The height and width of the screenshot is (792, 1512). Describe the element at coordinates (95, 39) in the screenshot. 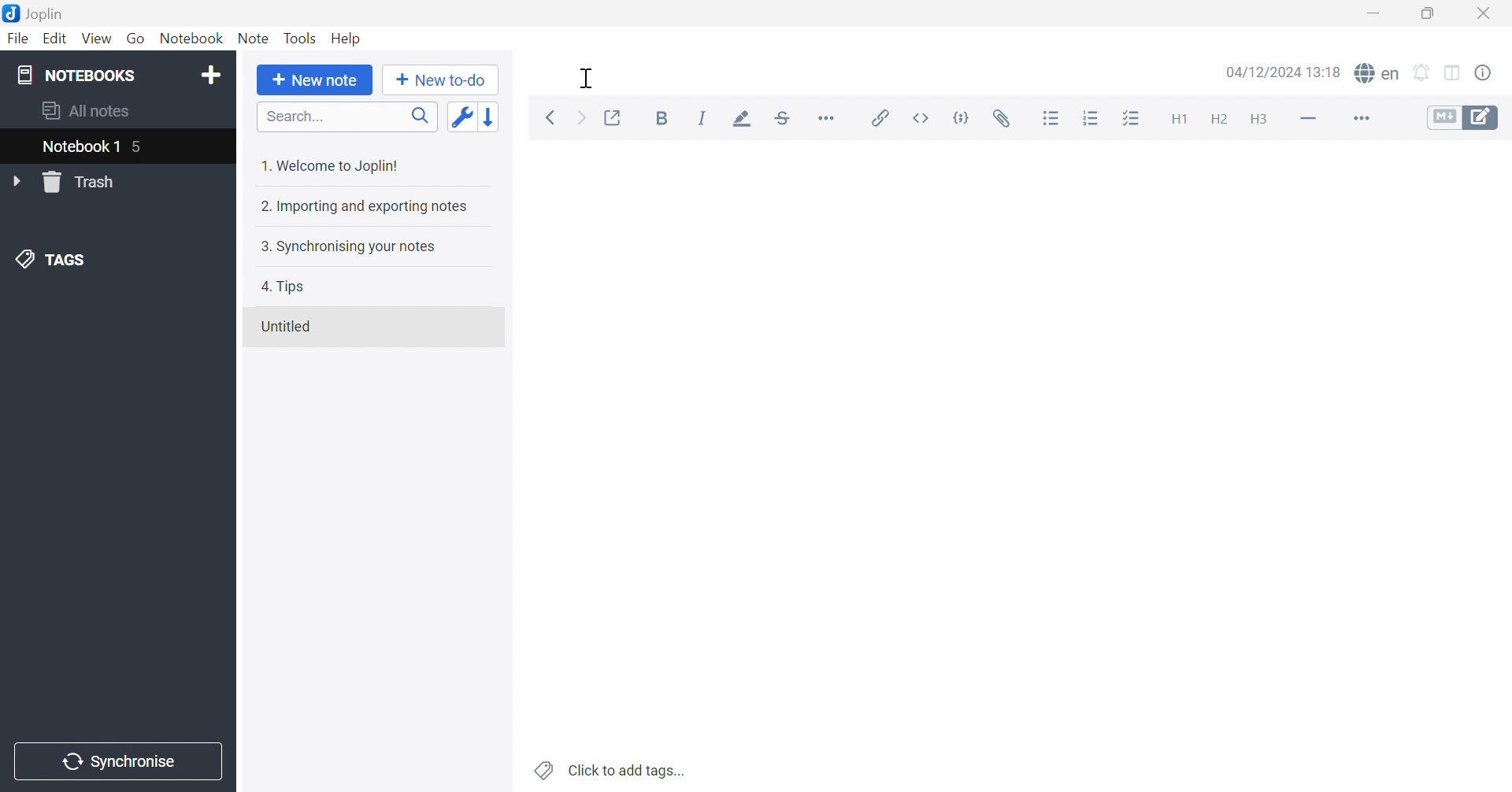

I see `View` at that location.